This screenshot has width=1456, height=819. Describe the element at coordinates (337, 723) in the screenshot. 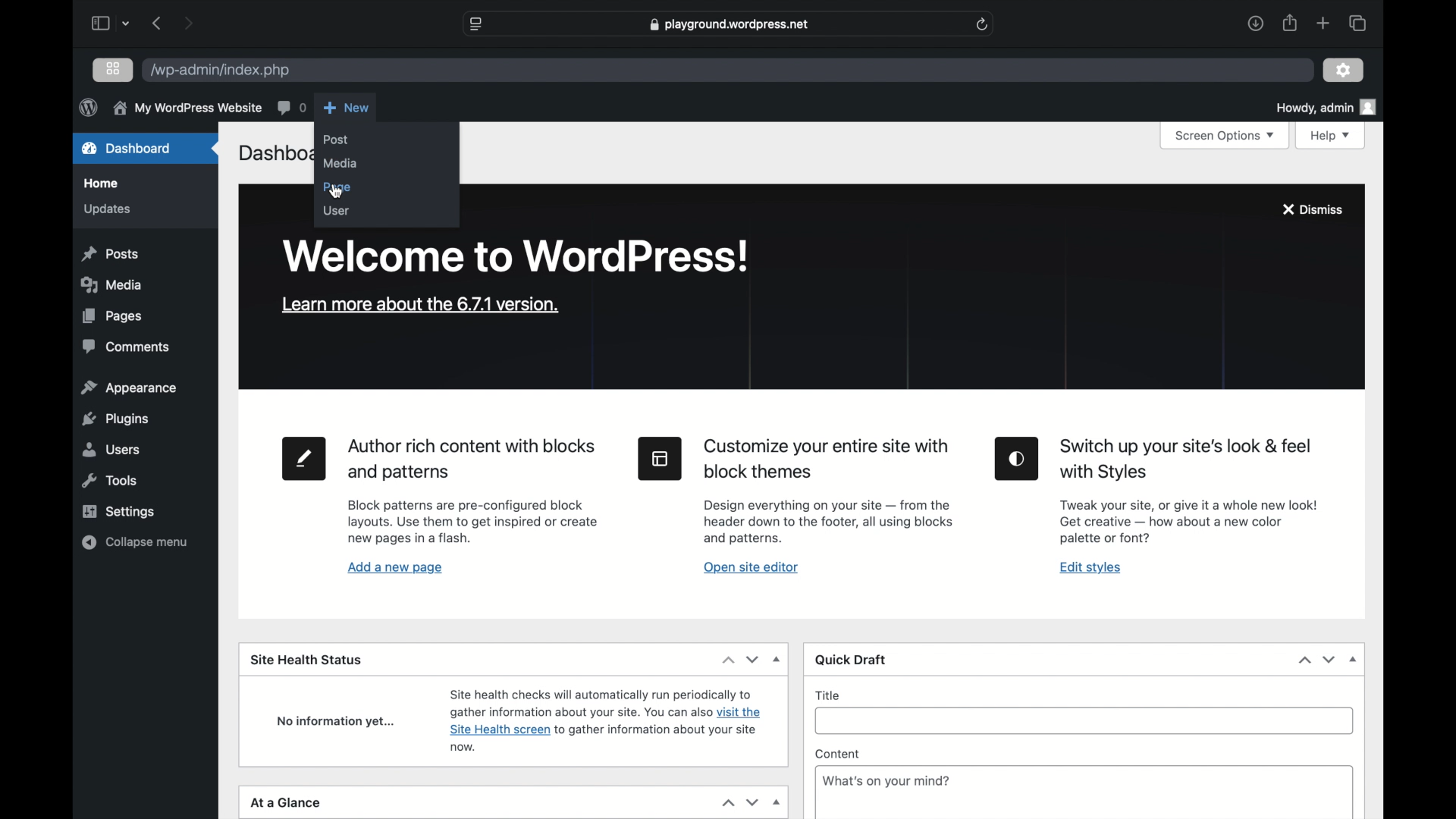

I see `no information yet` at that location.